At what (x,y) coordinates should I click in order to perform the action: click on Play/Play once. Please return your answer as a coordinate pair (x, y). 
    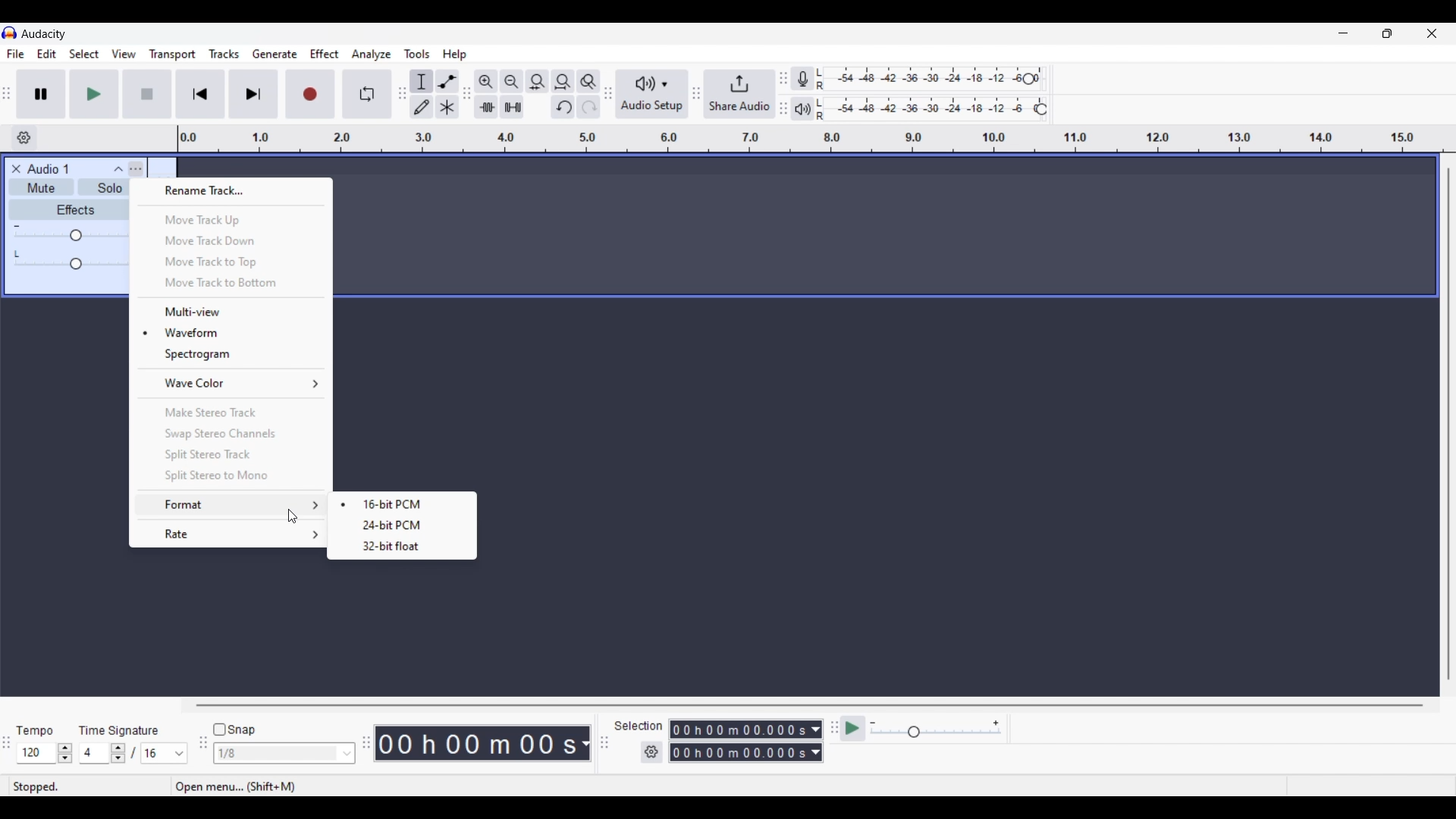
    Looking at the image, I should click on (94, 93).